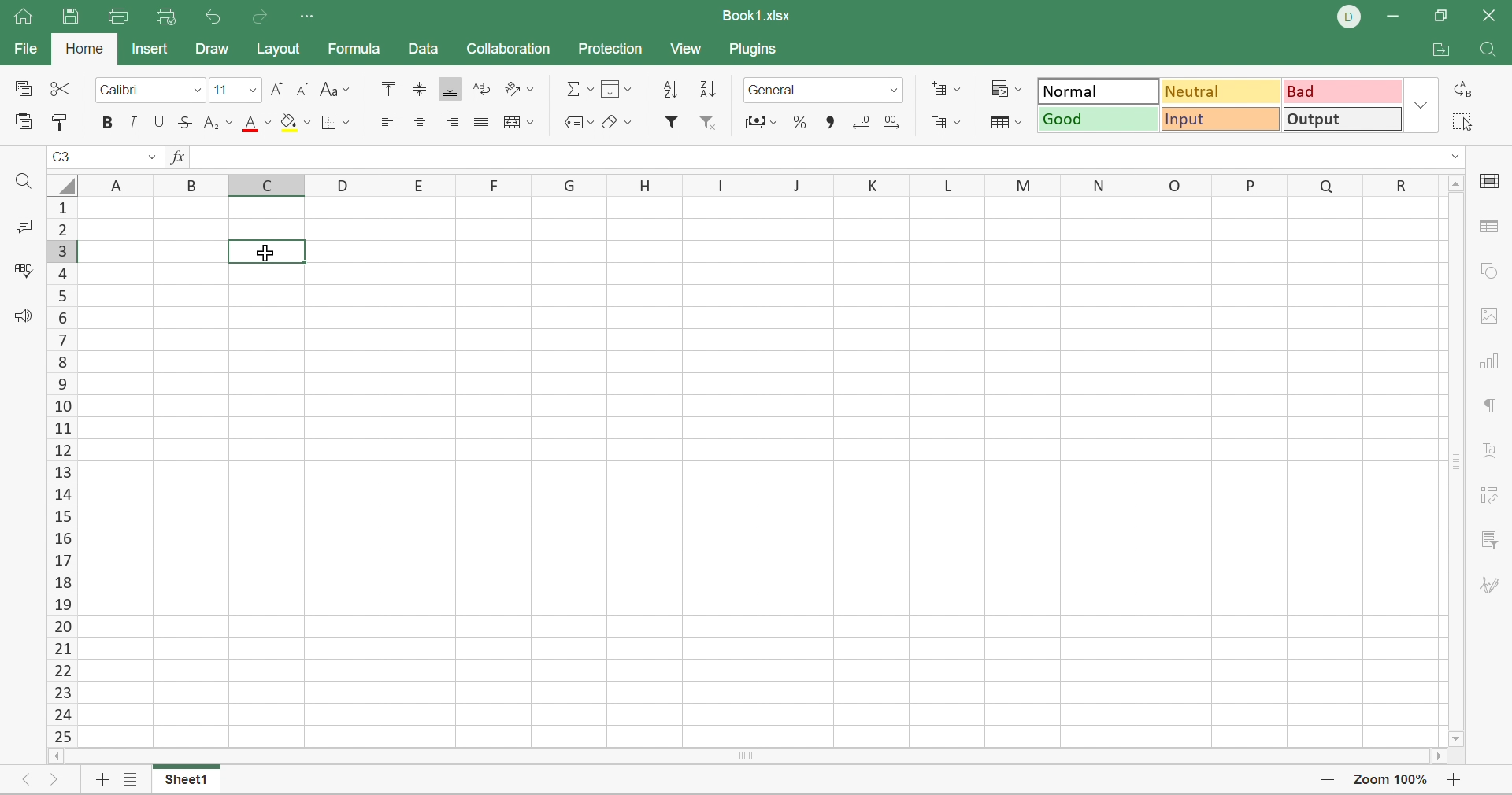  Describe the element at coordinates (27, 48) in the screenshot. I see `File` at that location.